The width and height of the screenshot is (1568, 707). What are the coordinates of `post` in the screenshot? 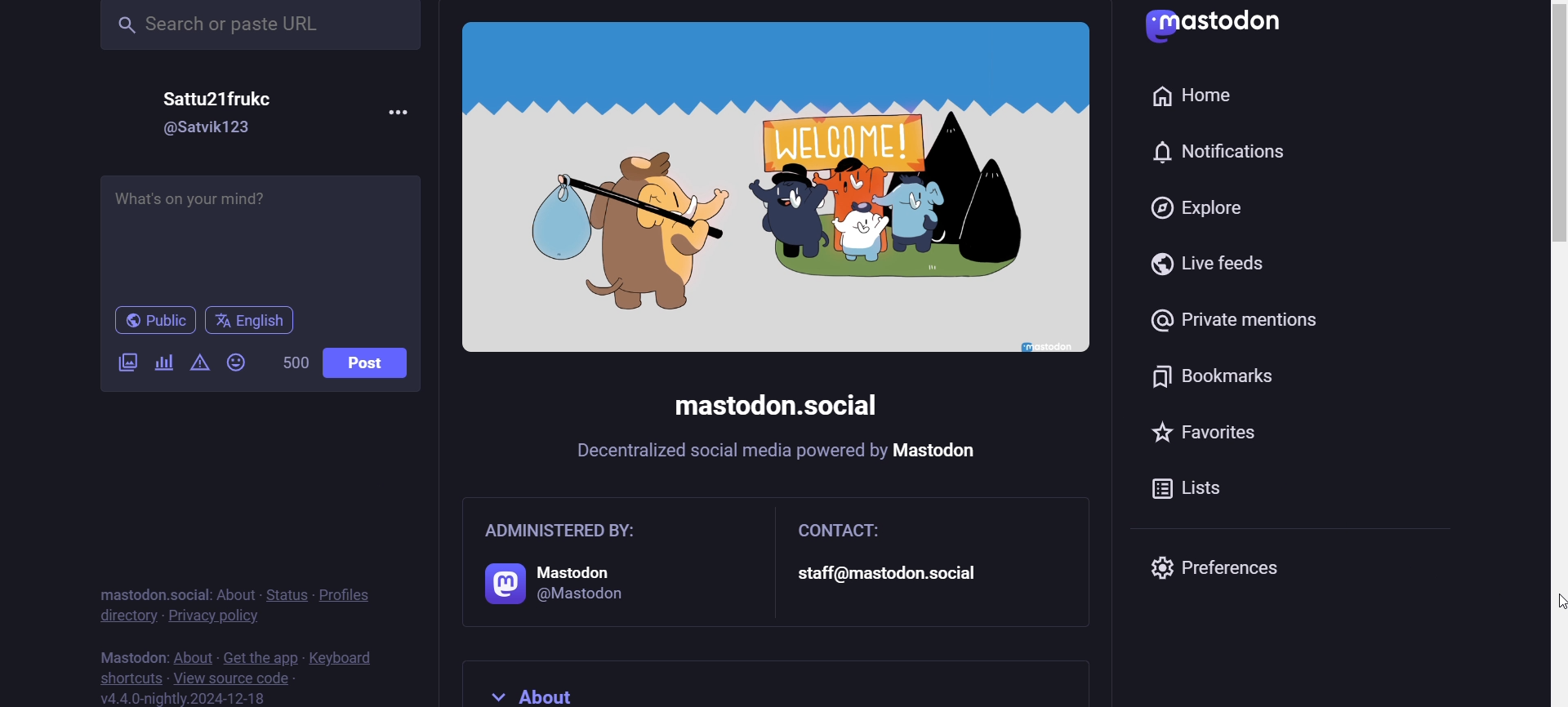 It's located at (367, 360).